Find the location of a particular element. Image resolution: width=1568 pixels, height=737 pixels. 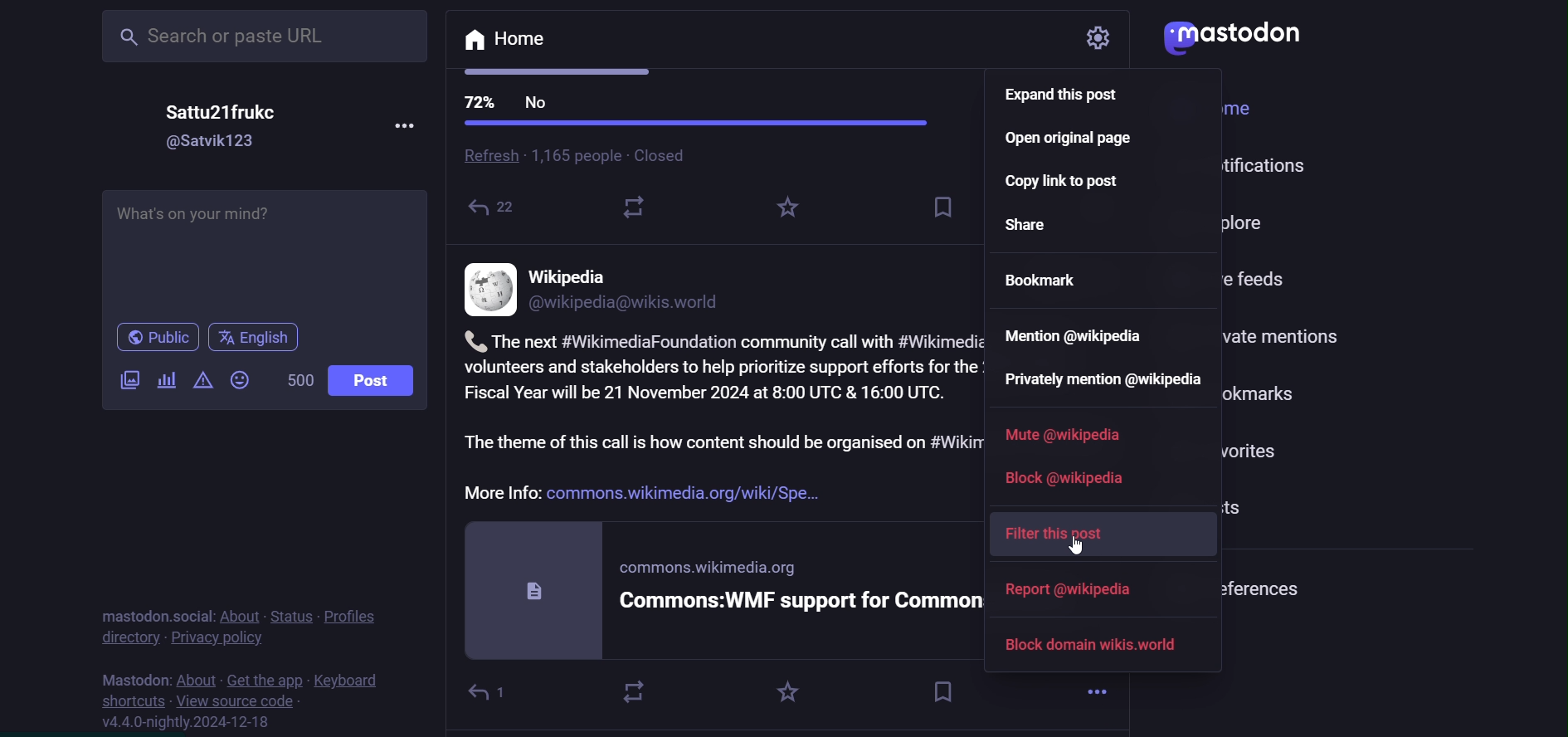

commons.wikimedia.org is located at coordinates (718, 569).